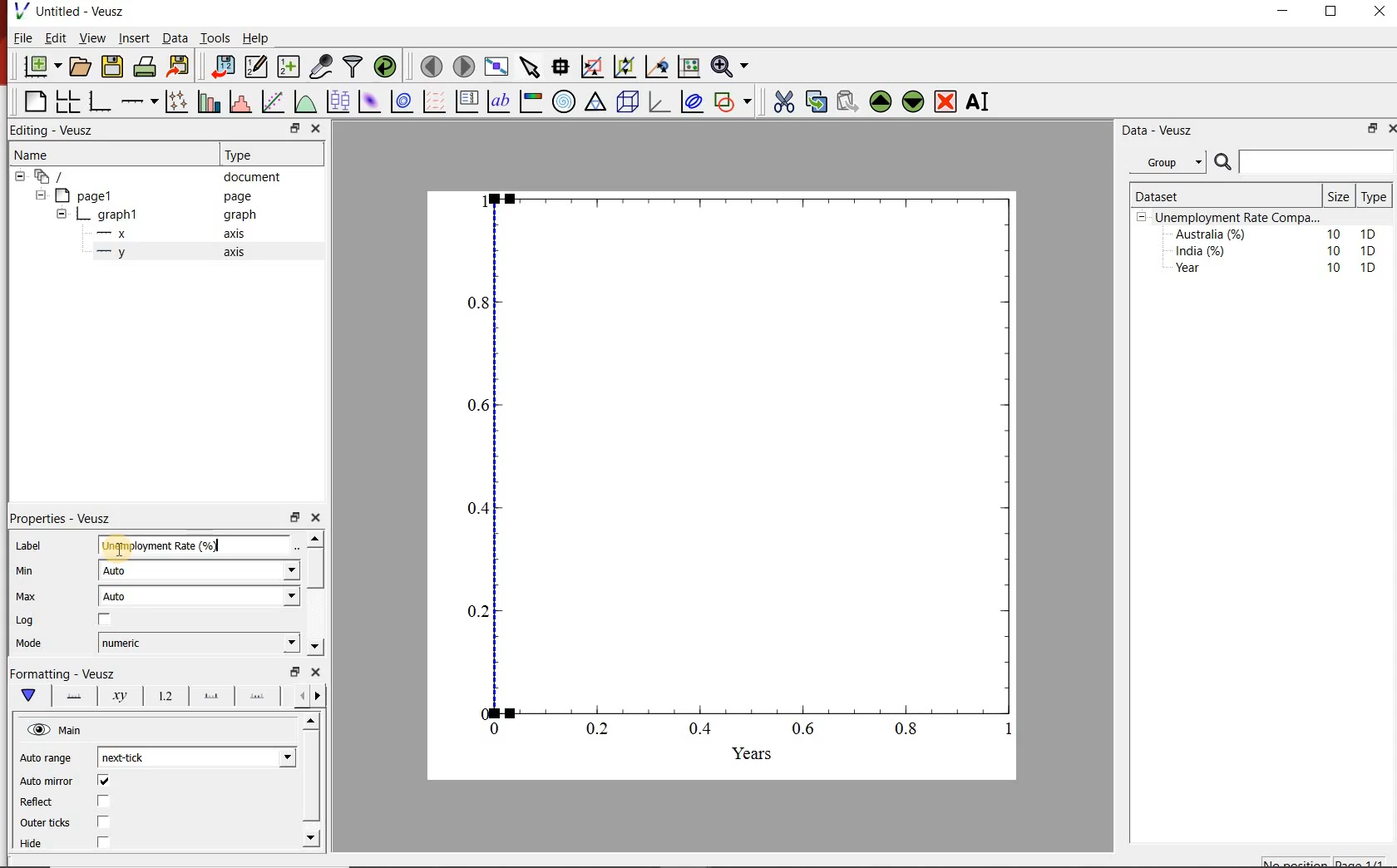  What do you see at coordinates (48, 782) in the screenshot?
I see `Auto mirror` at bounding box center [48, 782].